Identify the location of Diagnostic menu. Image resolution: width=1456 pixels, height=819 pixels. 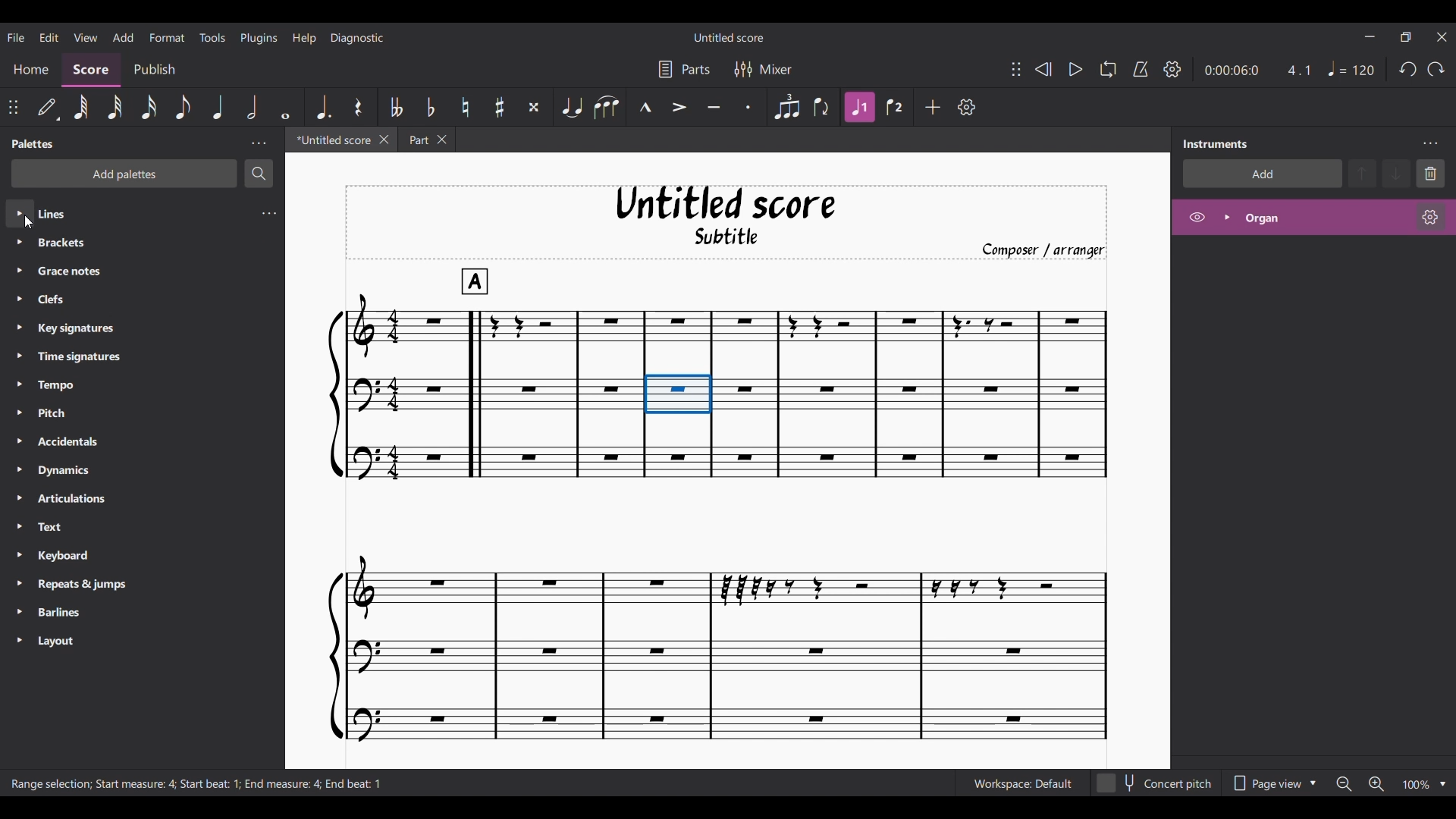
(357, 38).